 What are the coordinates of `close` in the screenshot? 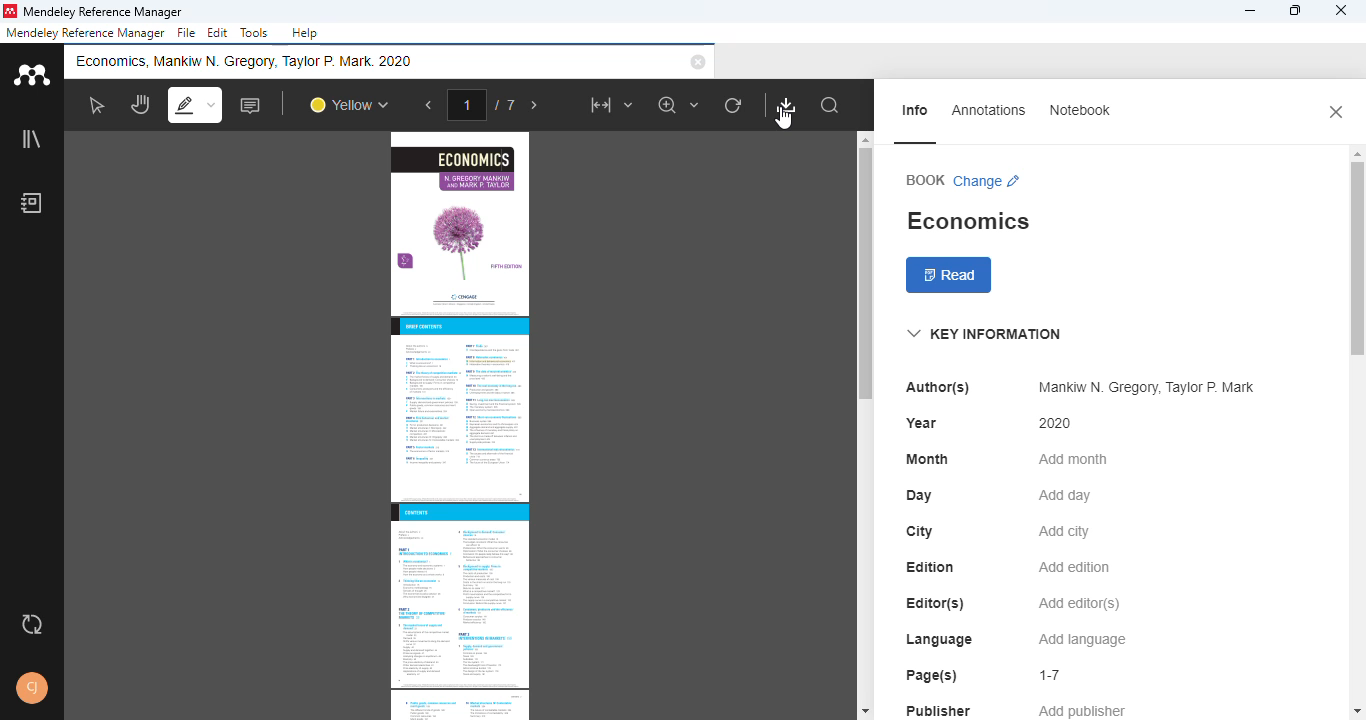 It's located at (1336, 111).